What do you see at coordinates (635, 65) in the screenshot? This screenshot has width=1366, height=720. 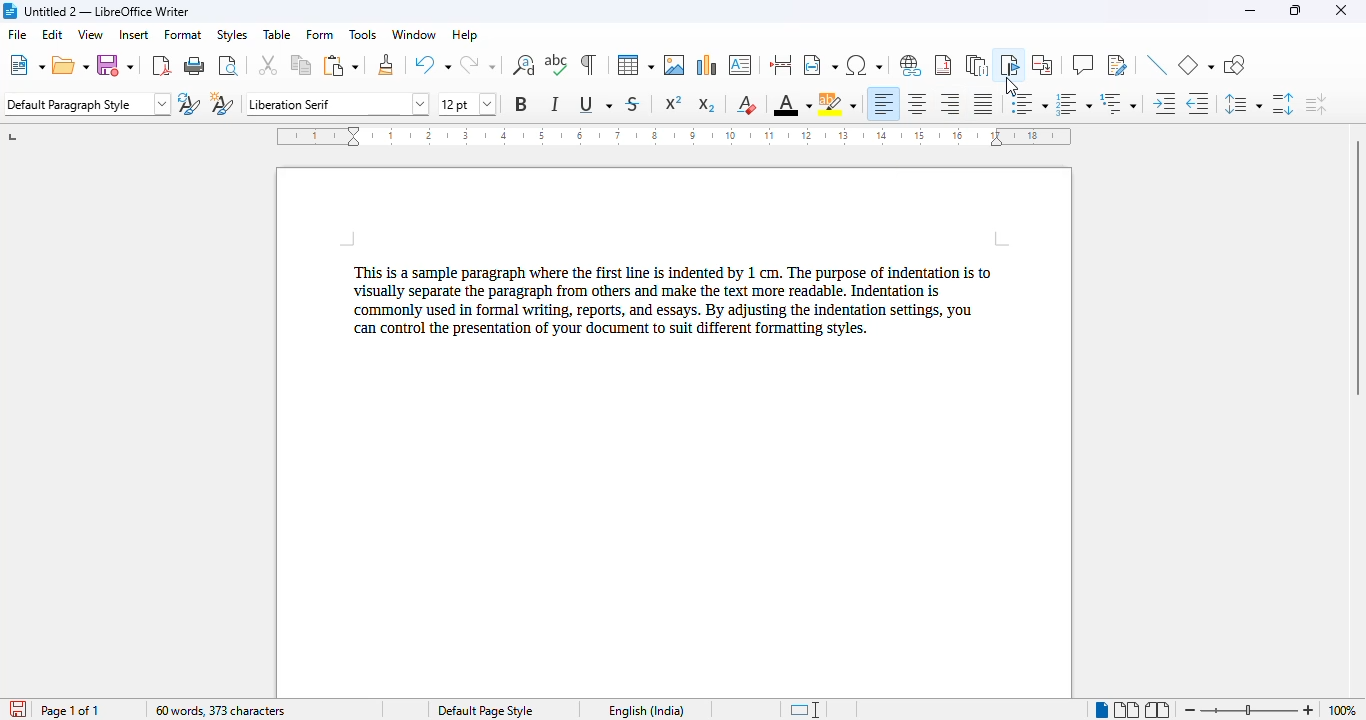 I see `table` at bounding box center [635, 65].